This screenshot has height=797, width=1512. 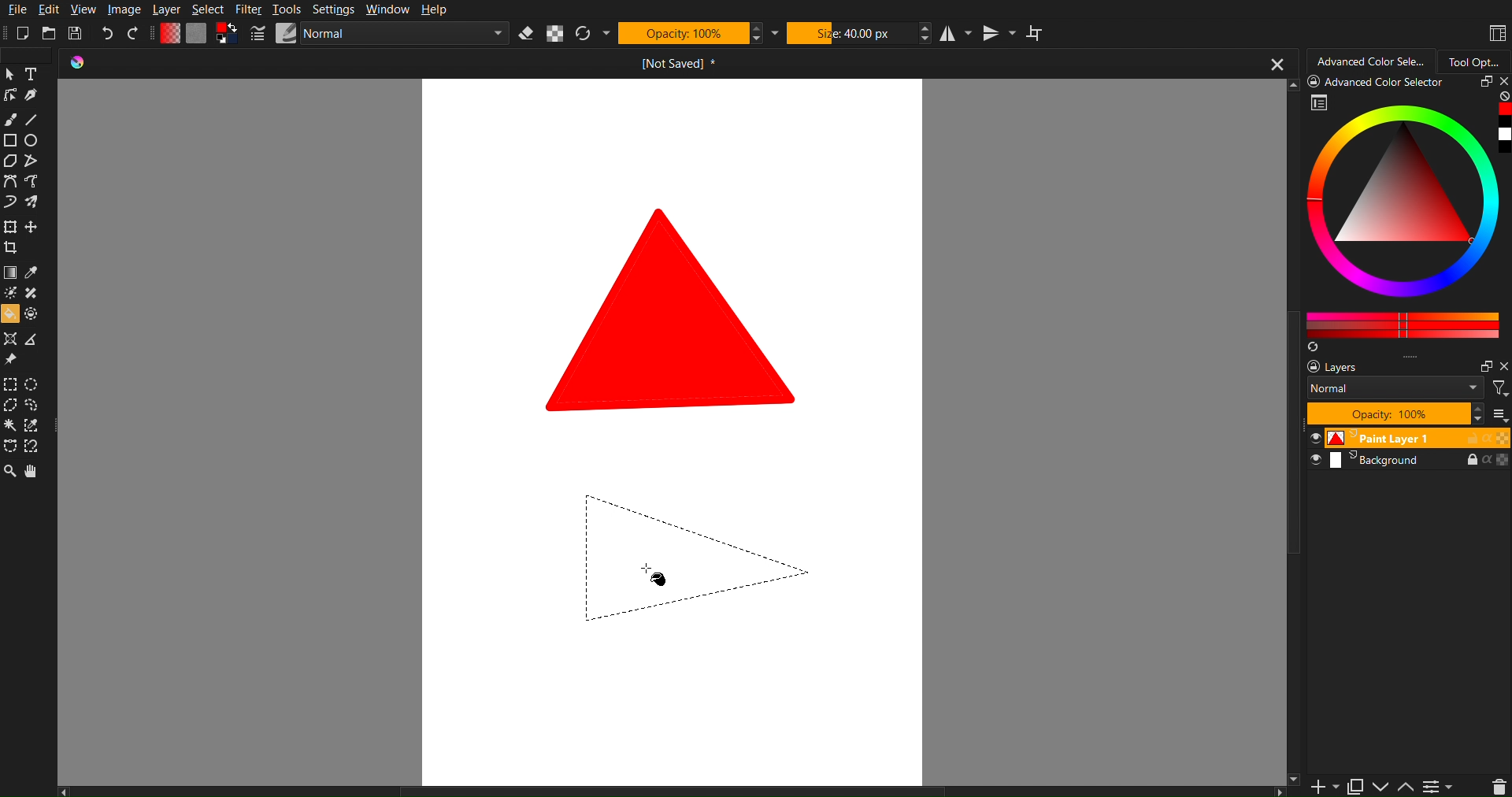 What do you see at coordinates (48, 32) in the screenshot?
I see `Open` at bounding box center [48, 32].